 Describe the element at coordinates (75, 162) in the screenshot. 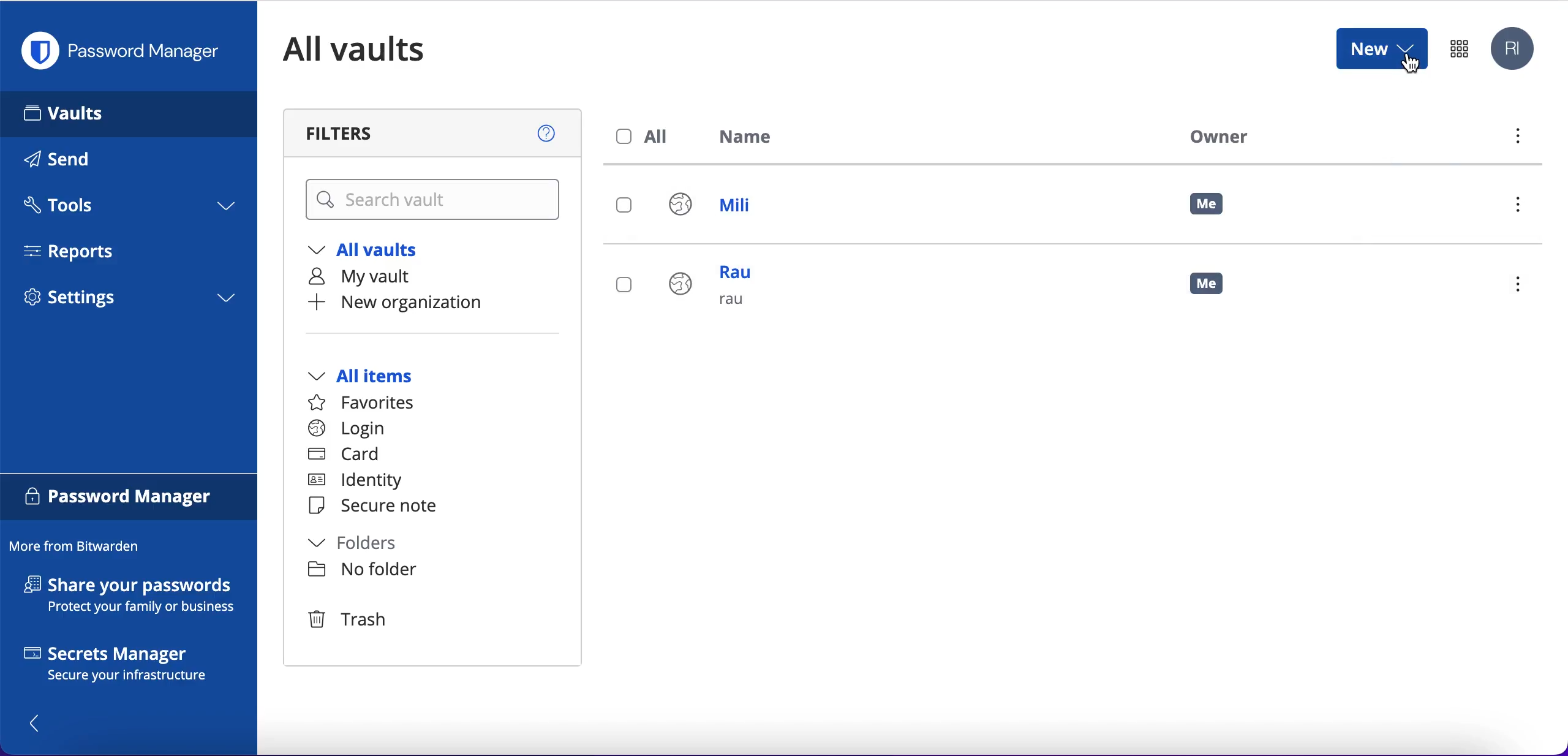

I see `send` at that location.